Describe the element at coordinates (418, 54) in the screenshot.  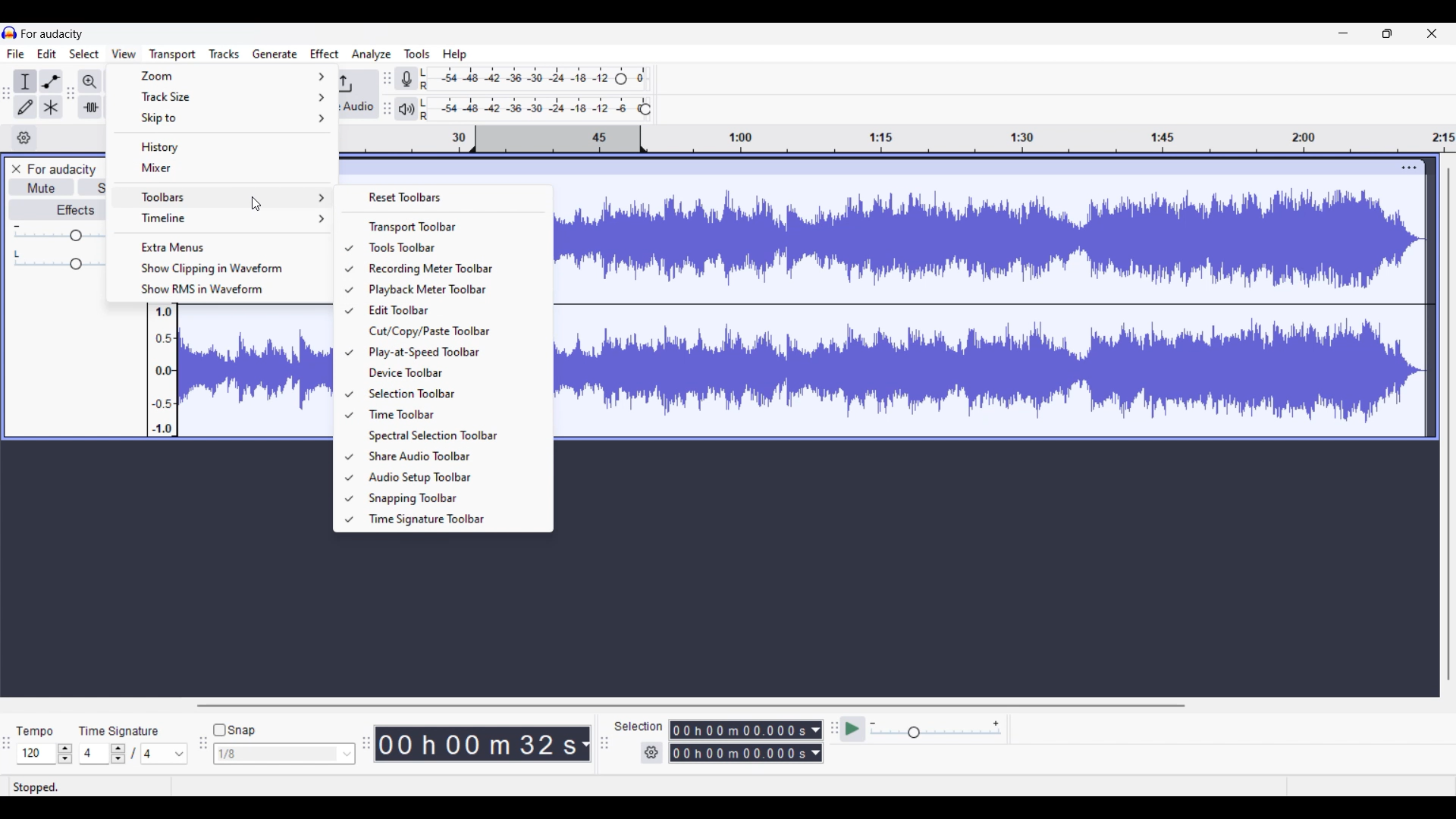
I see `Tools menu` at that location.